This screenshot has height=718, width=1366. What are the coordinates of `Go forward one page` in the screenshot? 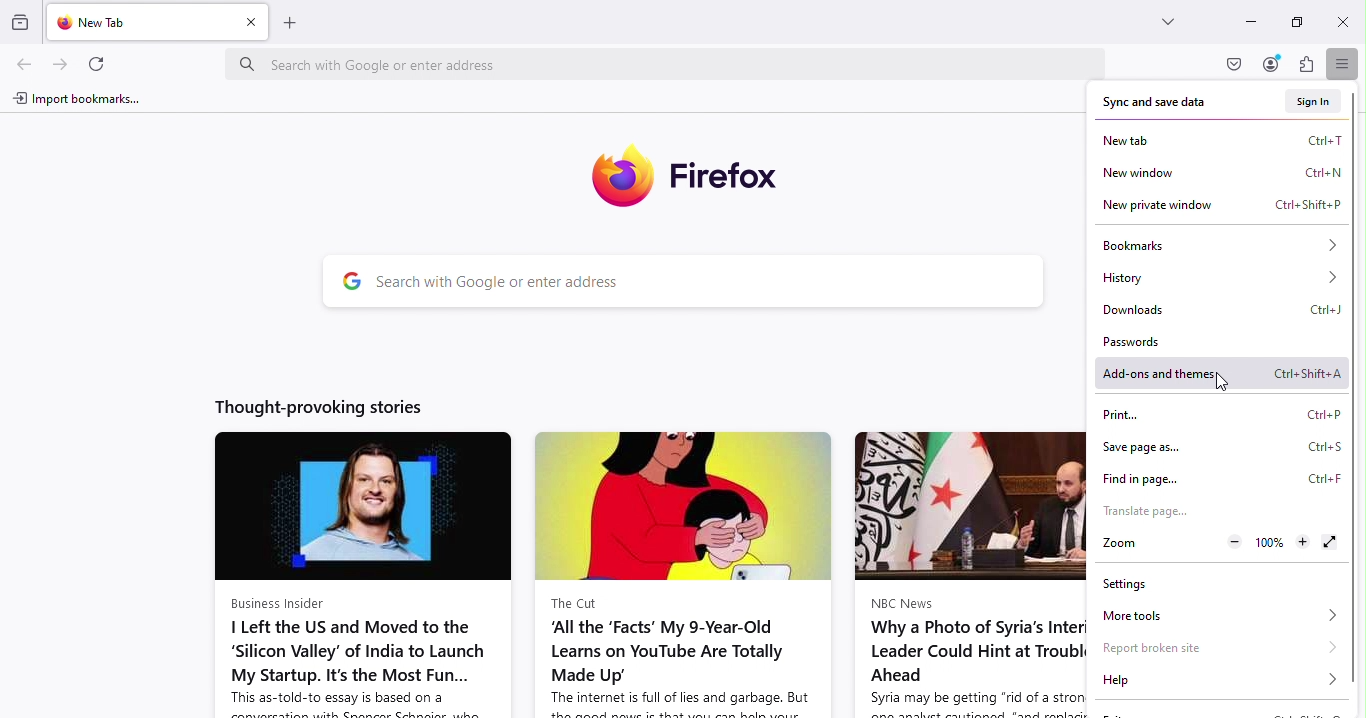 It's located at (64, 64).